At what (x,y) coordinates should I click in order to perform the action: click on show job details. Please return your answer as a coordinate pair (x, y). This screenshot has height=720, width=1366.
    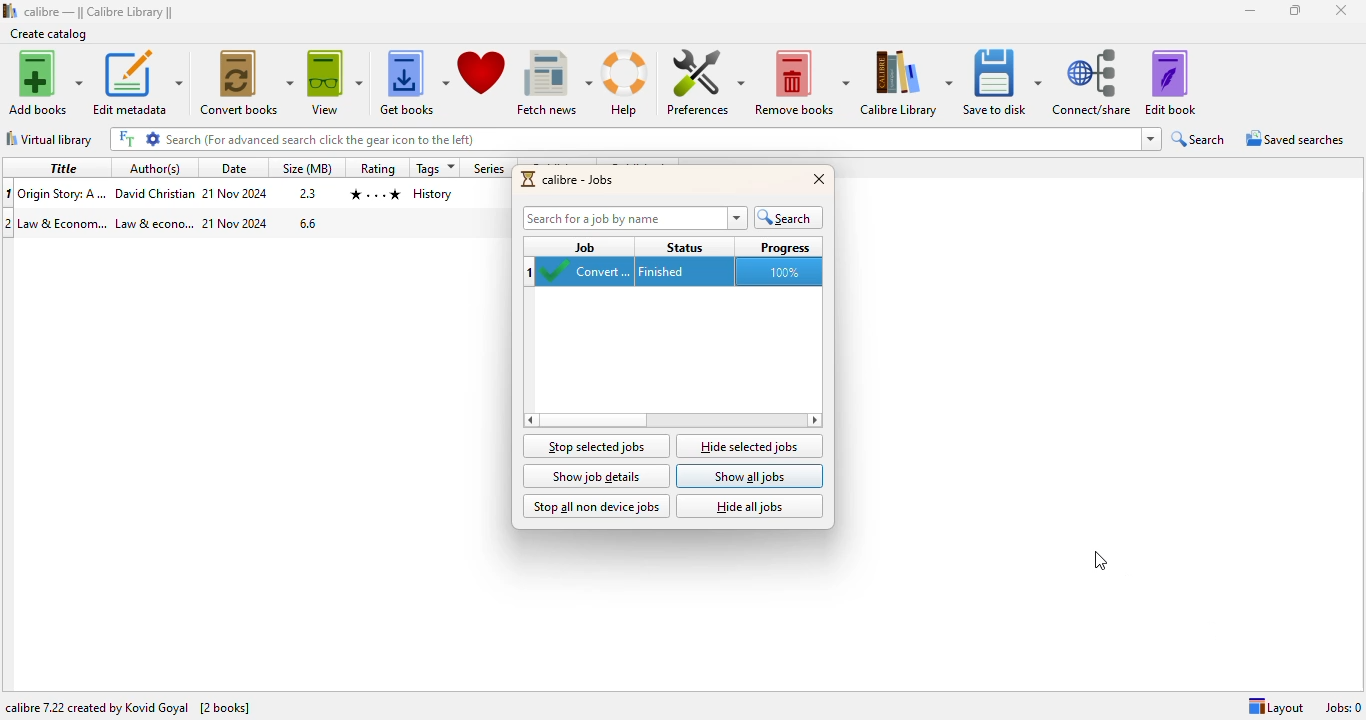
    Looking at the image, I should click on (597, 476).